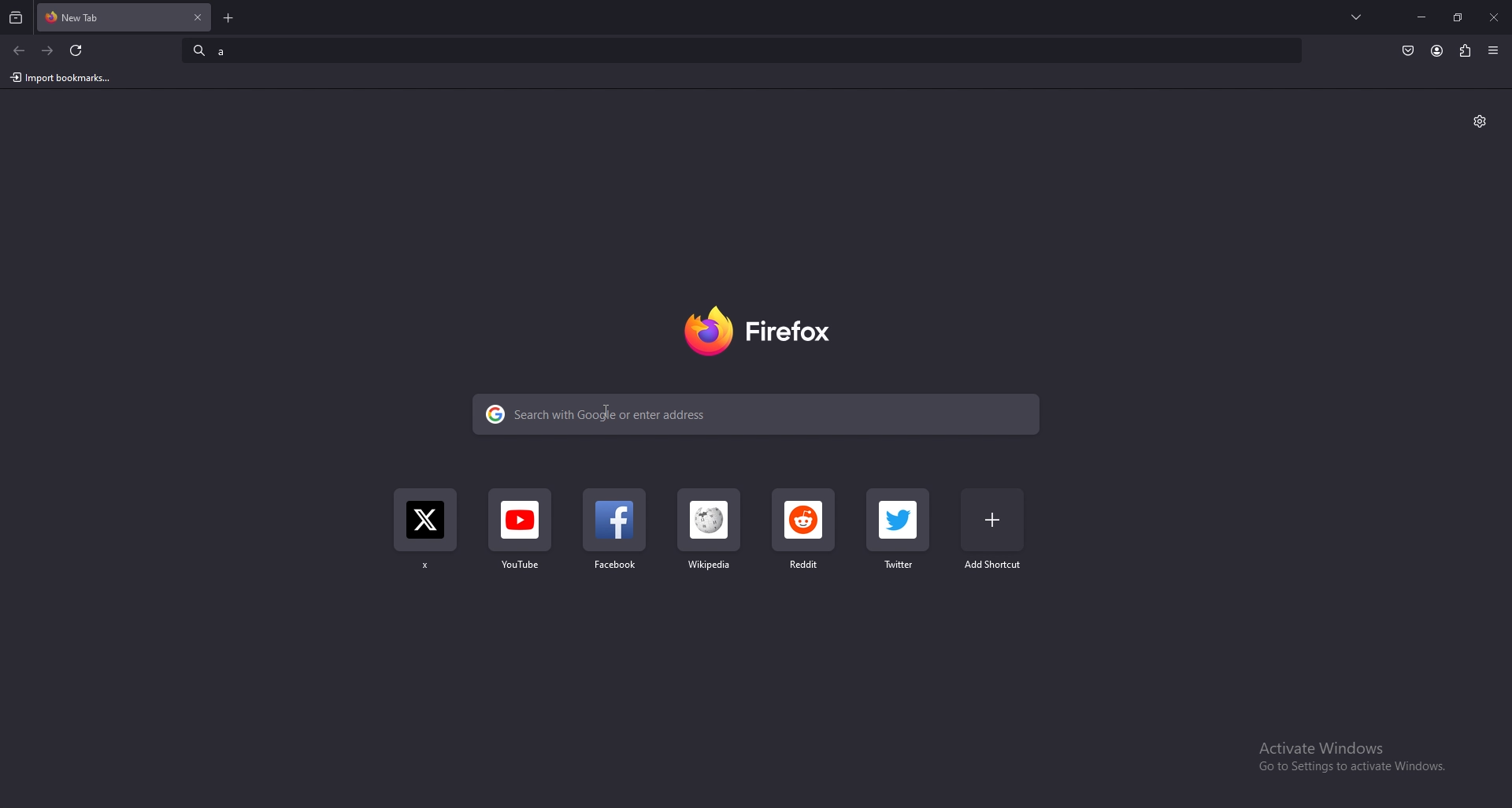 The height and width of the screenshot is (808, 1512). What do you see at coordinates (1493, 19) in the screenshot?
I see `close` at bounding box center [1493, 19].